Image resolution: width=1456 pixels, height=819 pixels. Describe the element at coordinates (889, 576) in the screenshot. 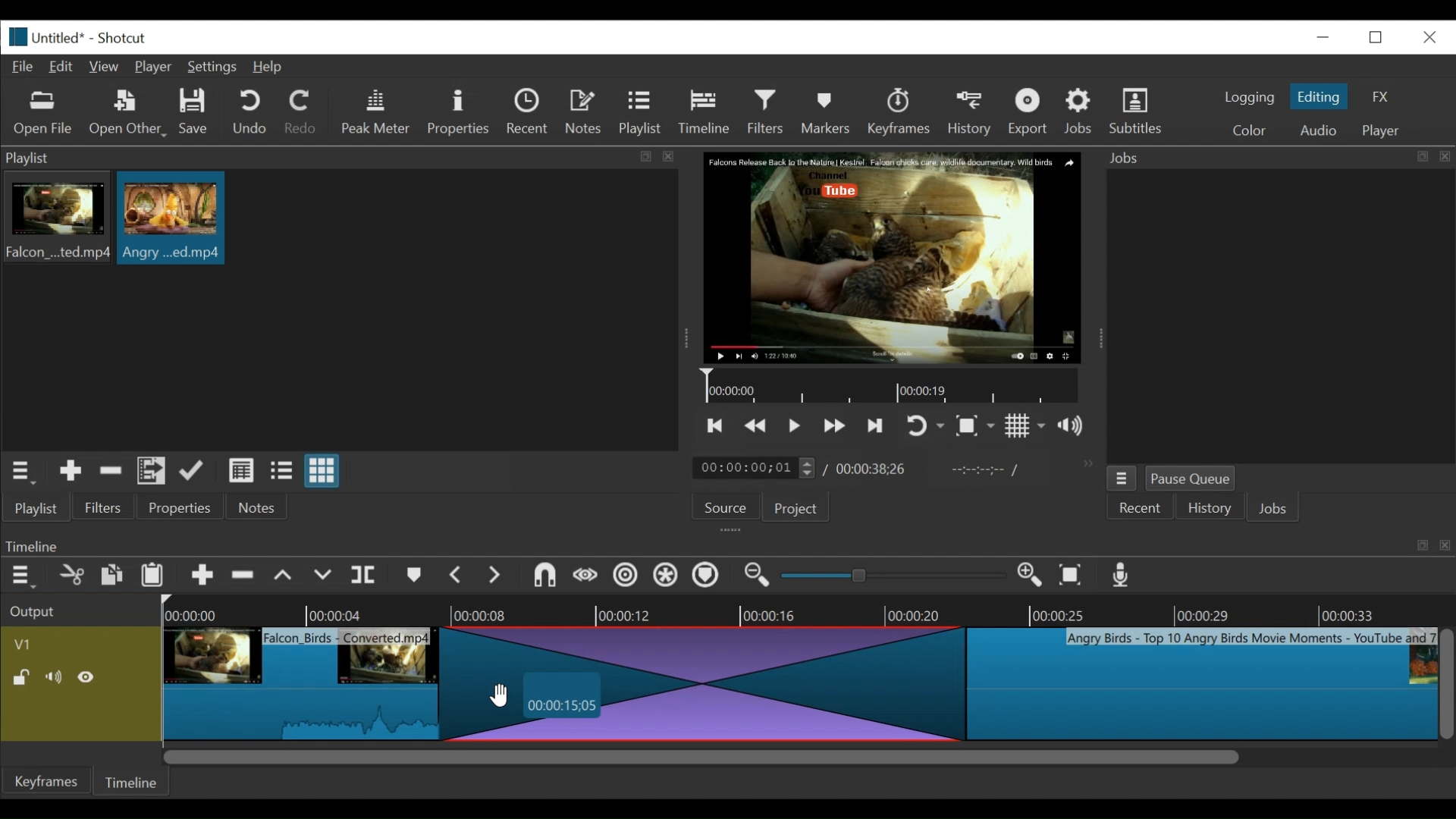

I see `slider` at that location.